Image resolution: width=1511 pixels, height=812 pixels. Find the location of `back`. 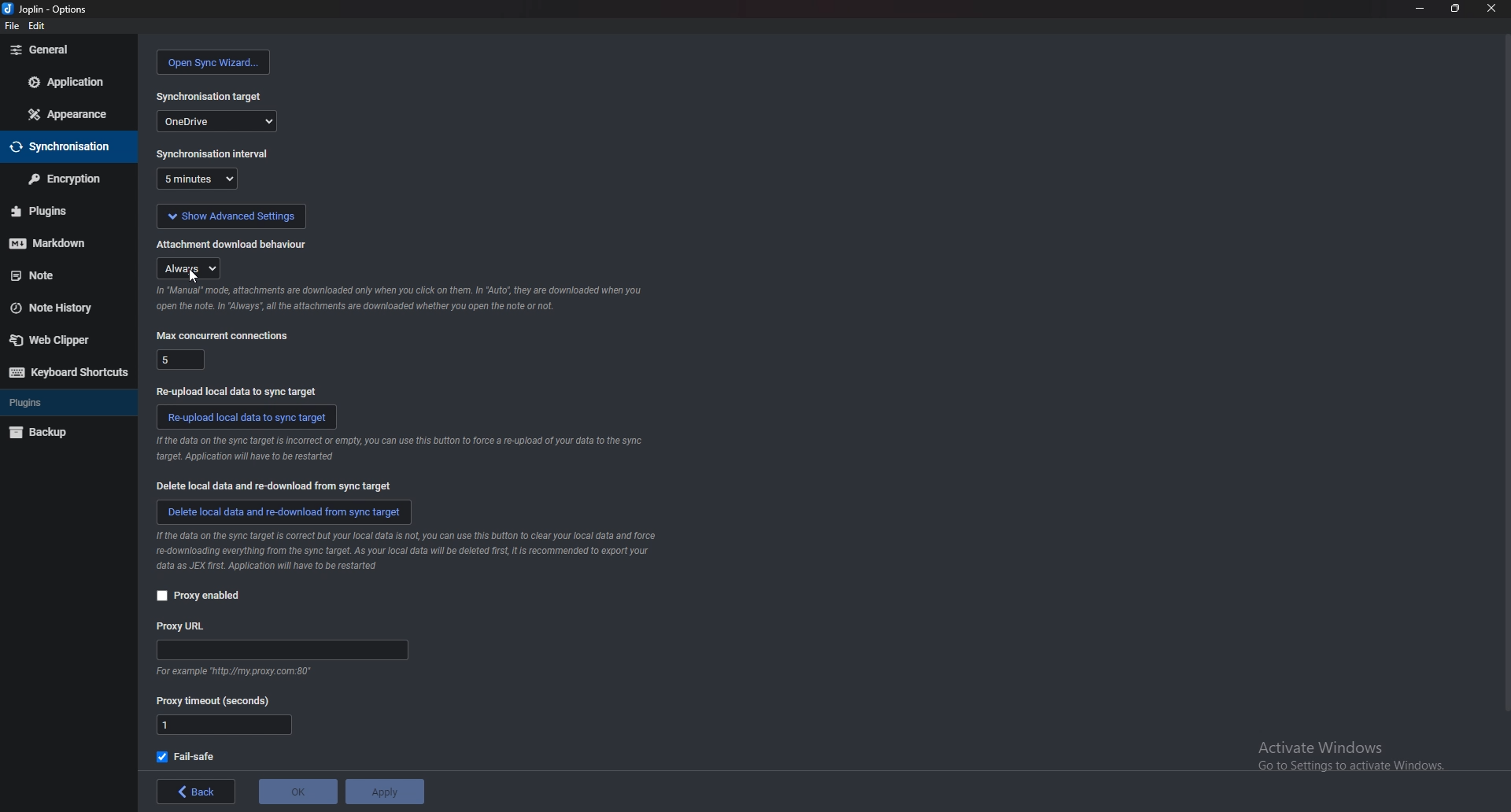

back is located at coordinates (195, 792).